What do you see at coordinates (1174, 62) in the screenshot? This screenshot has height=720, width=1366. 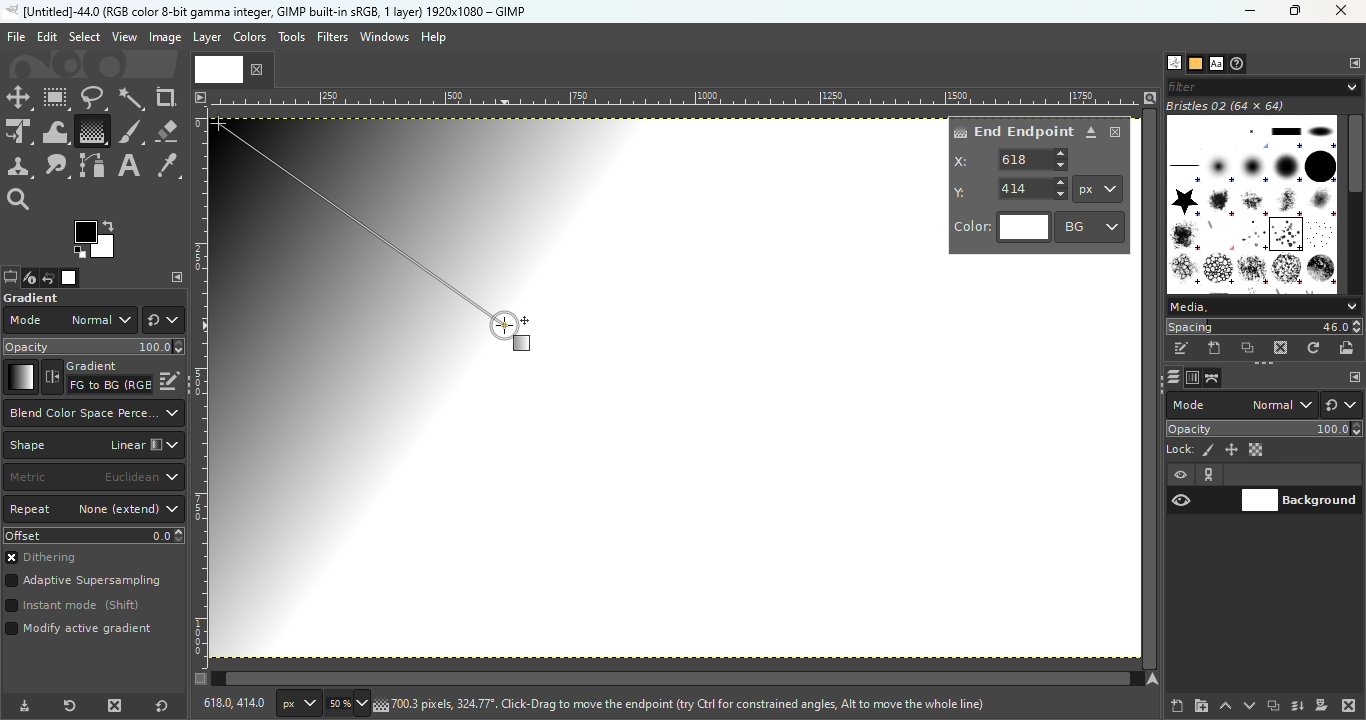 I see `Open the brushes dialog` at bounding box center [1174, 62].